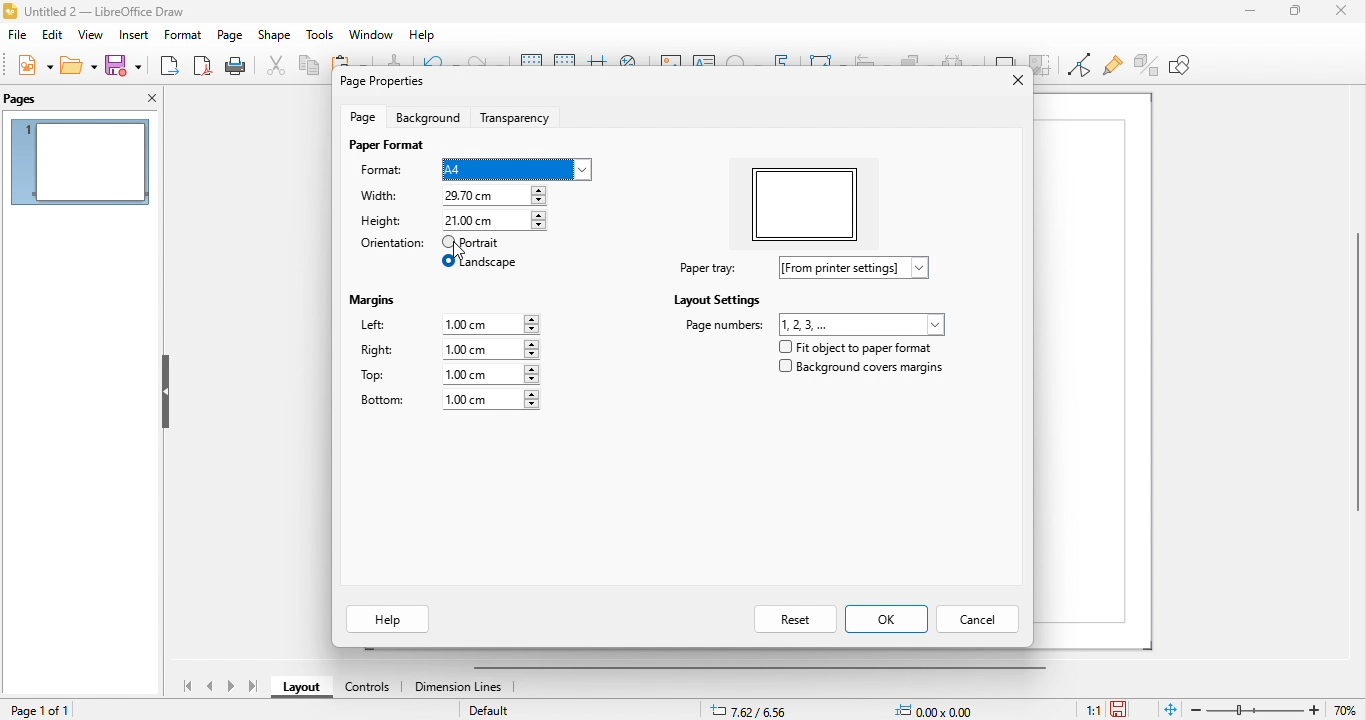 This screenshot has height=720, width=1366. I want to click on zoom, so click(1278, 709).